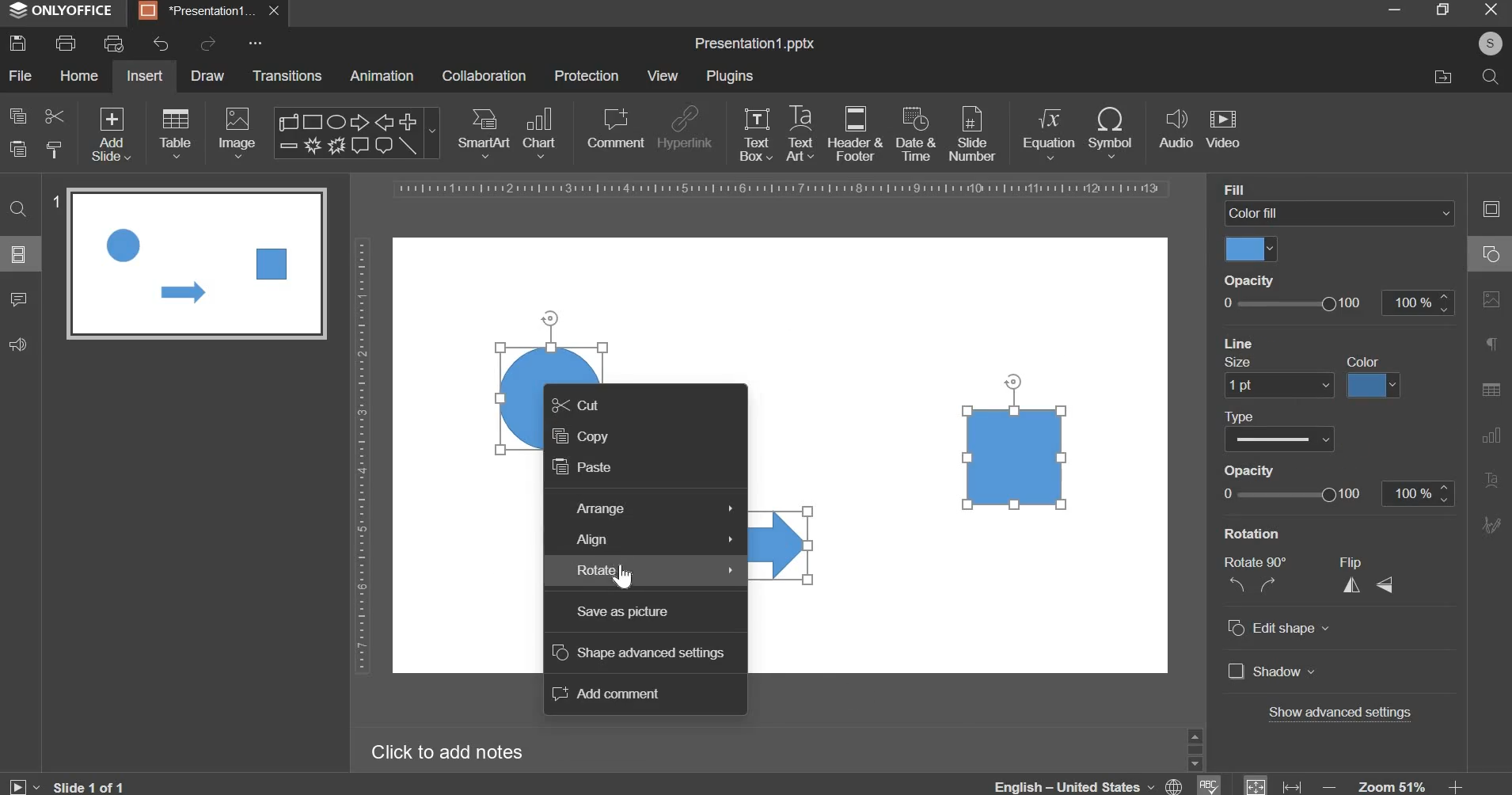  I want to click on table, so click(176, 132).